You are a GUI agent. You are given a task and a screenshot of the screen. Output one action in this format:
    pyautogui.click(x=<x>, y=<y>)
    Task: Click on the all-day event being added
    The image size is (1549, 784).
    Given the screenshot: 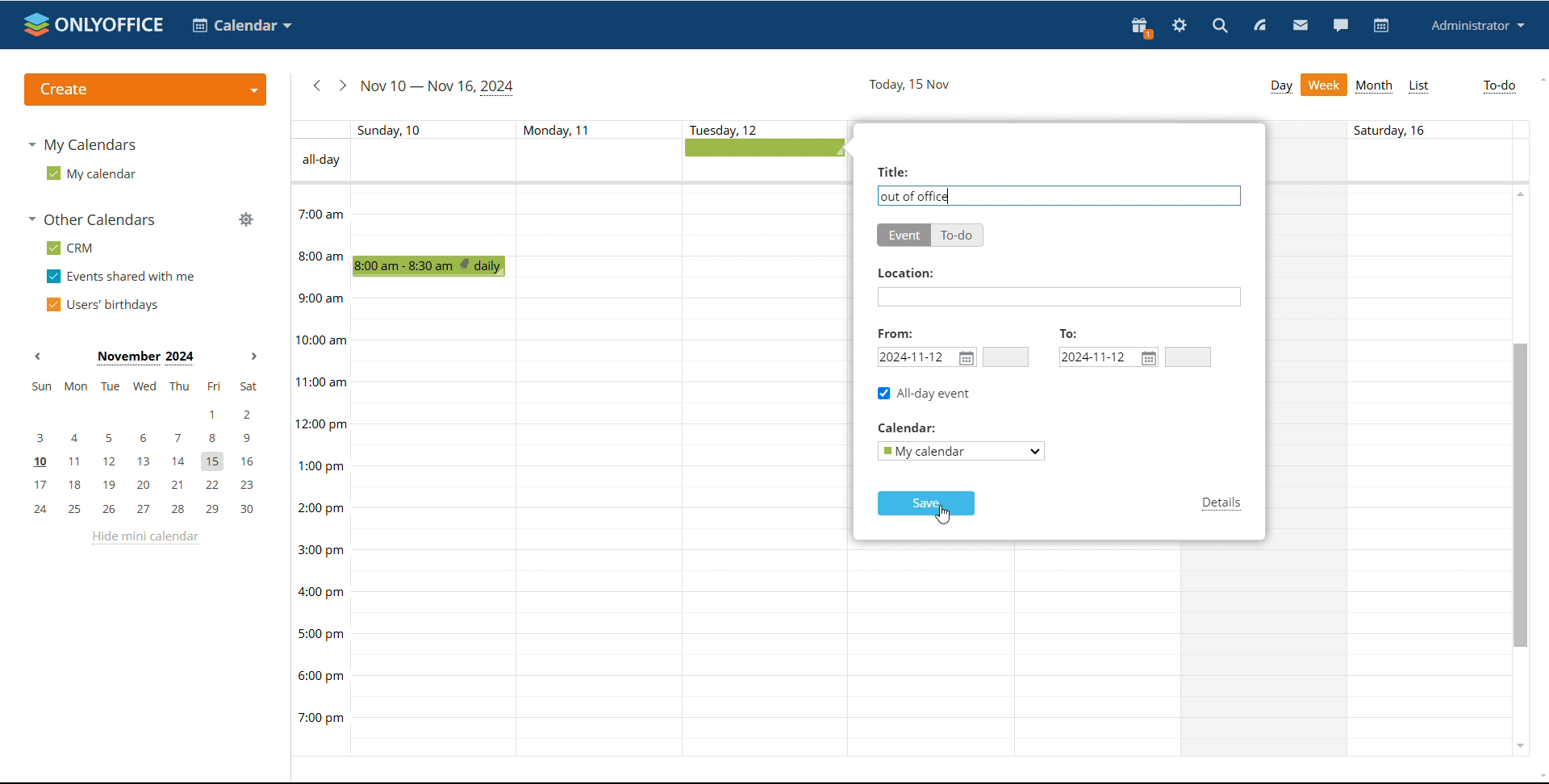 What is the action you would take?
    pyautogui.click(x=764, y=148)
    